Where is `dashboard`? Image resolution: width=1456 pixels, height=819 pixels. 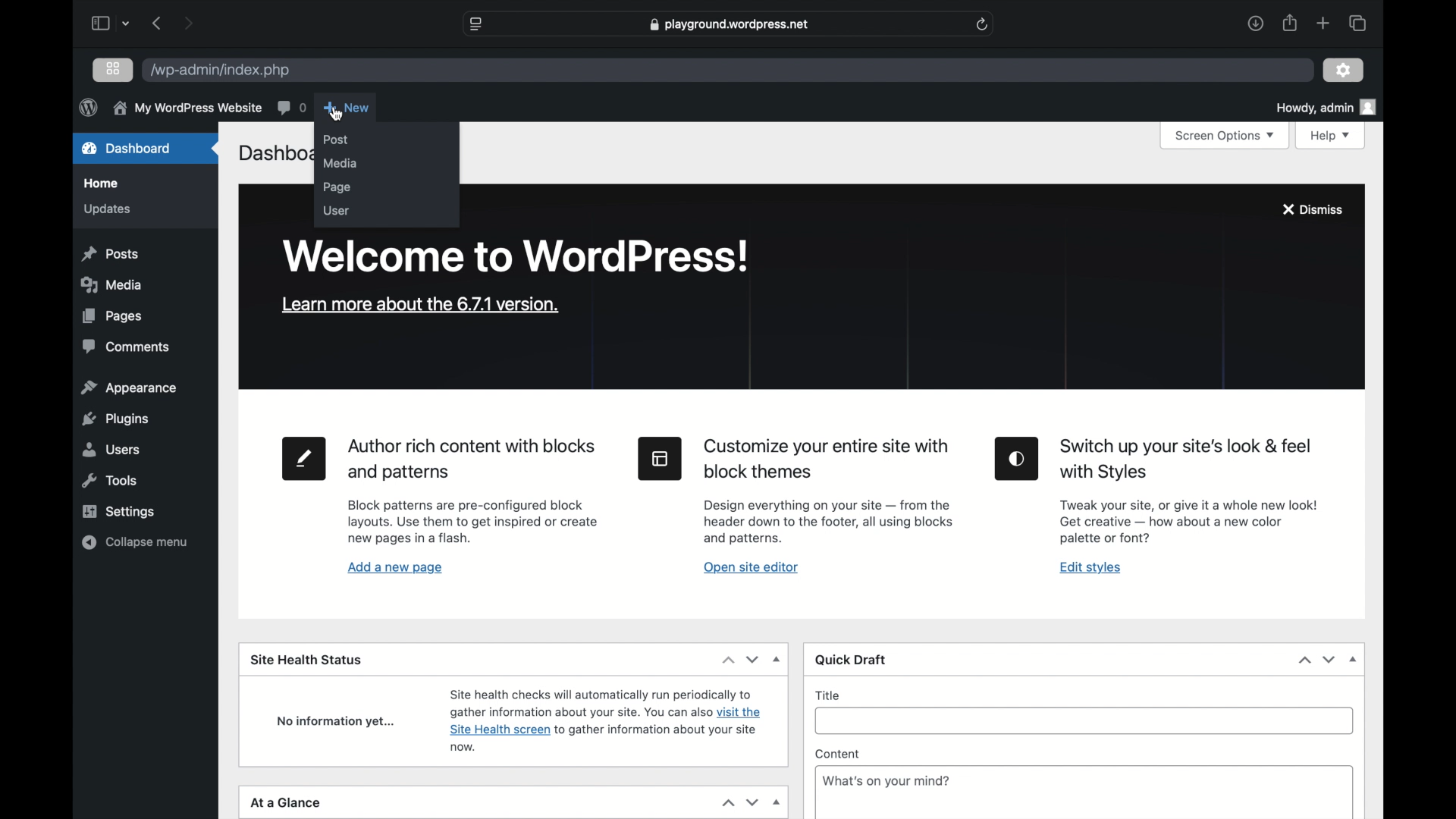
dashboard is located at coordinates (127, 148).